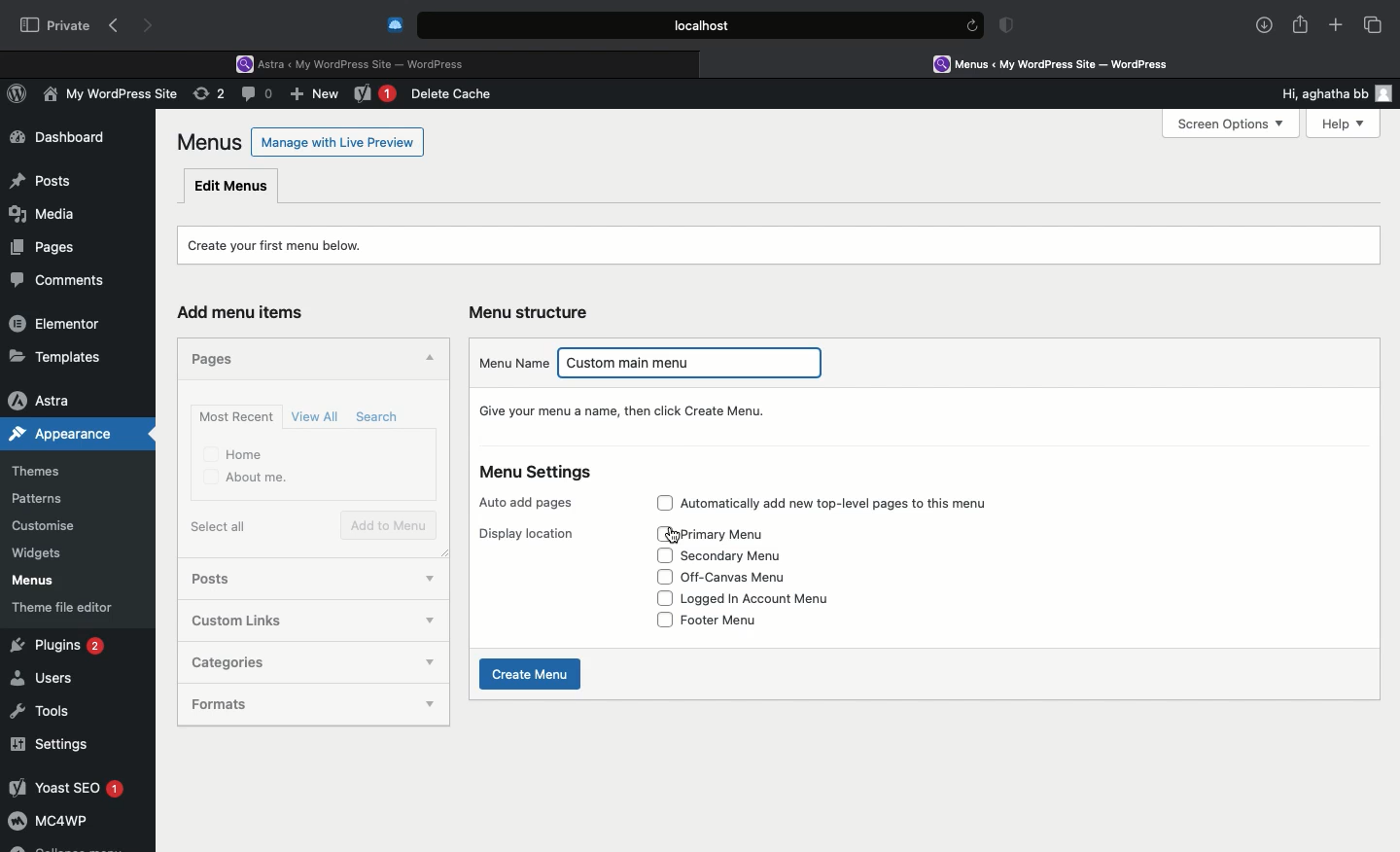 This screenshot has width=1400, height=852. Describe the element at coordinates (288, 243) in the screenshot. I see `Create your first menu below` at that location.